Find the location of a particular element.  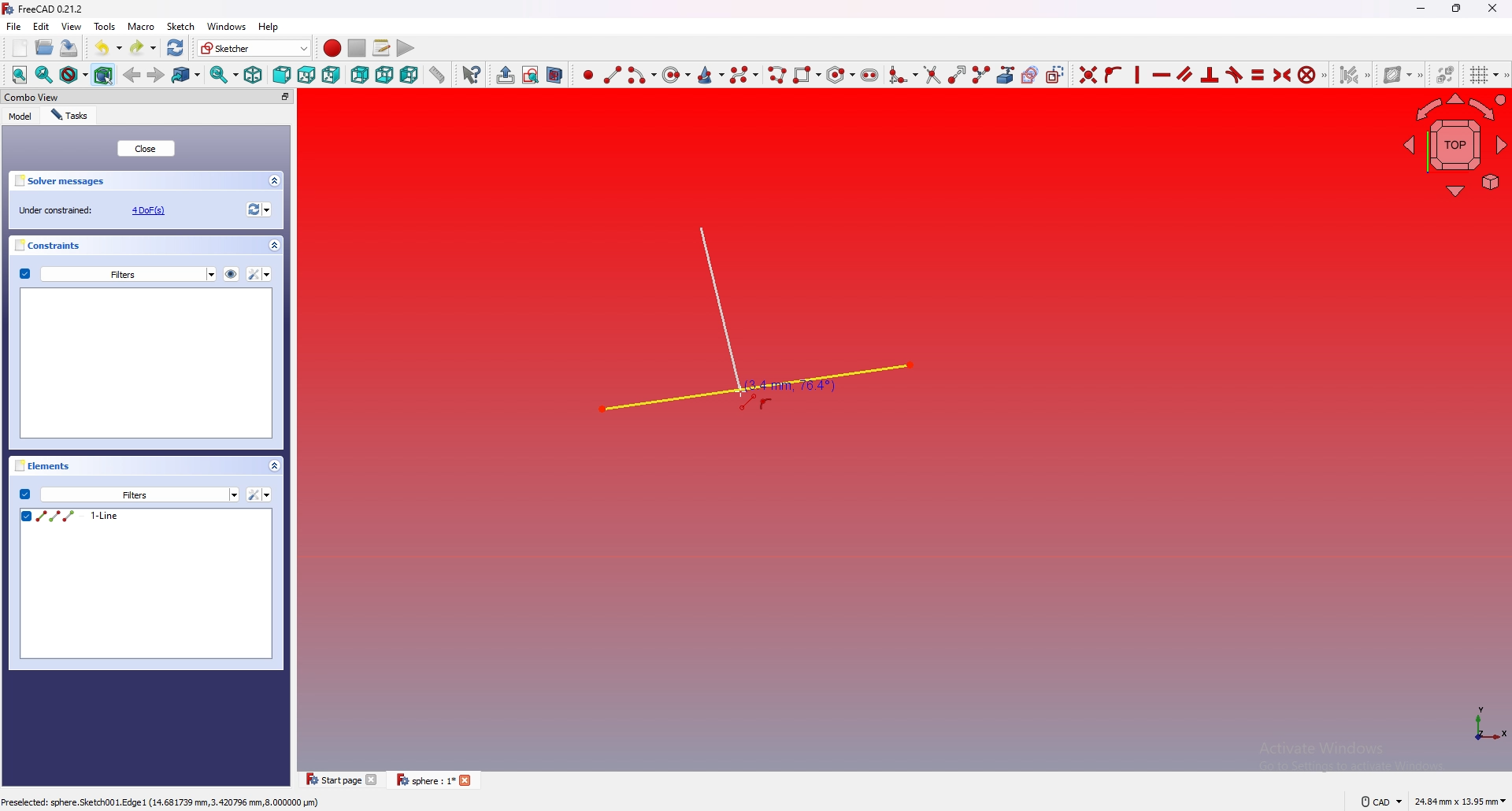

Settings is located at coordinates (140, 495).